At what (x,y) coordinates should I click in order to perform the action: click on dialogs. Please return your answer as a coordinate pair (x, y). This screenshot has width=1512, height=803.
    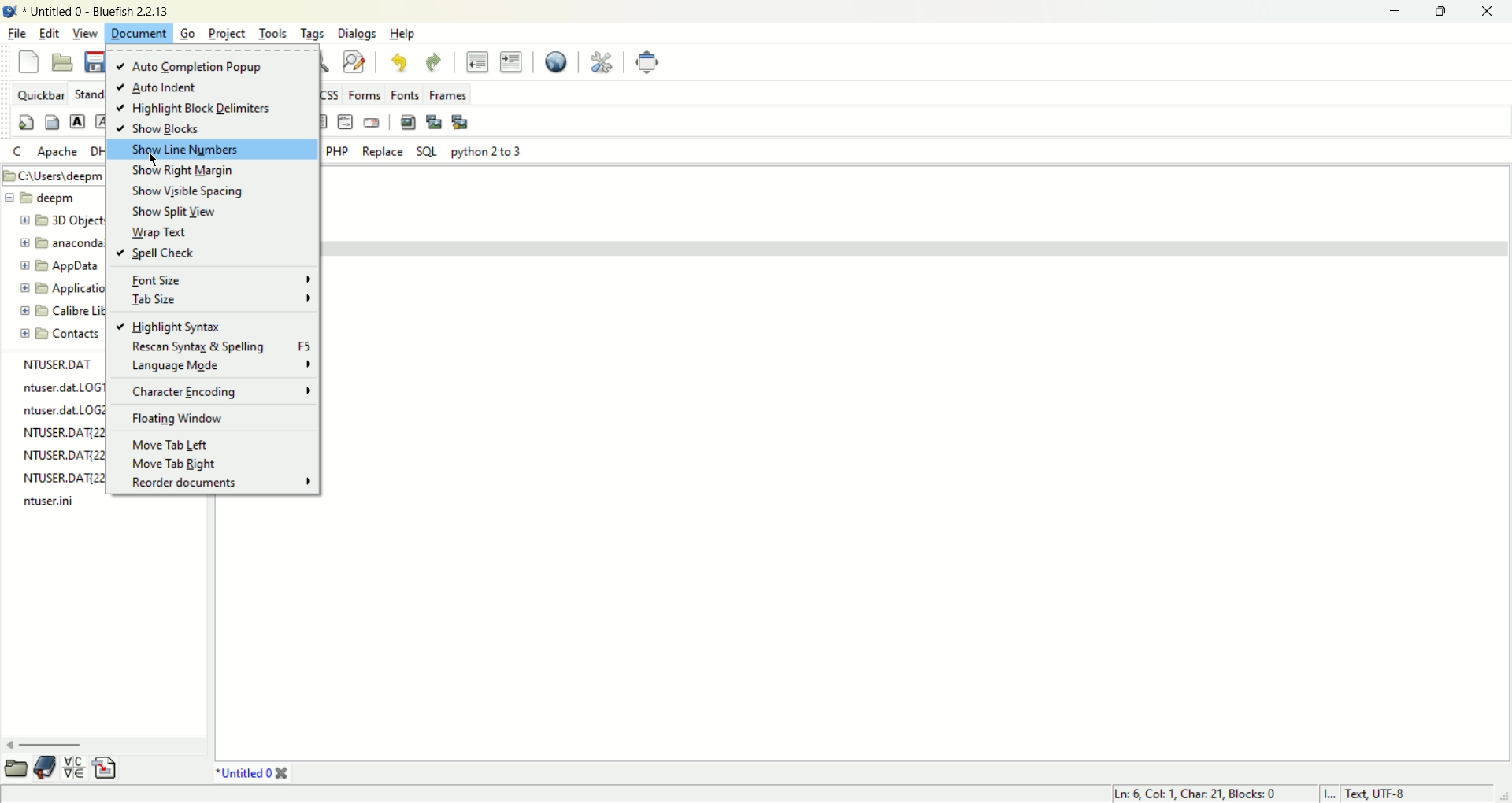
    Looking at the image, I should click on (357, 34).